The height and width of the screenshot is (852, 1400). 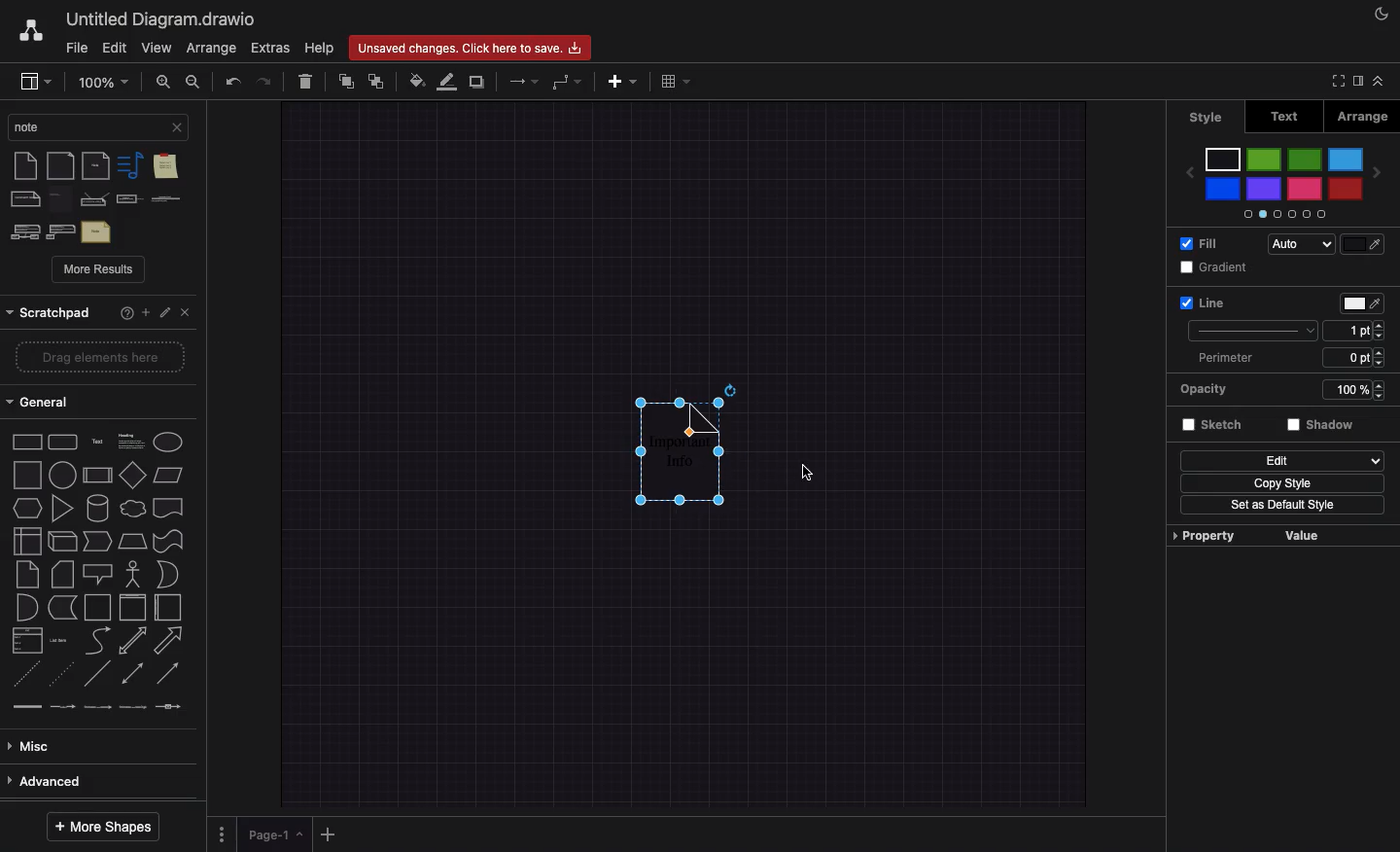 I want to click on Help, so click(x=126, y=314).